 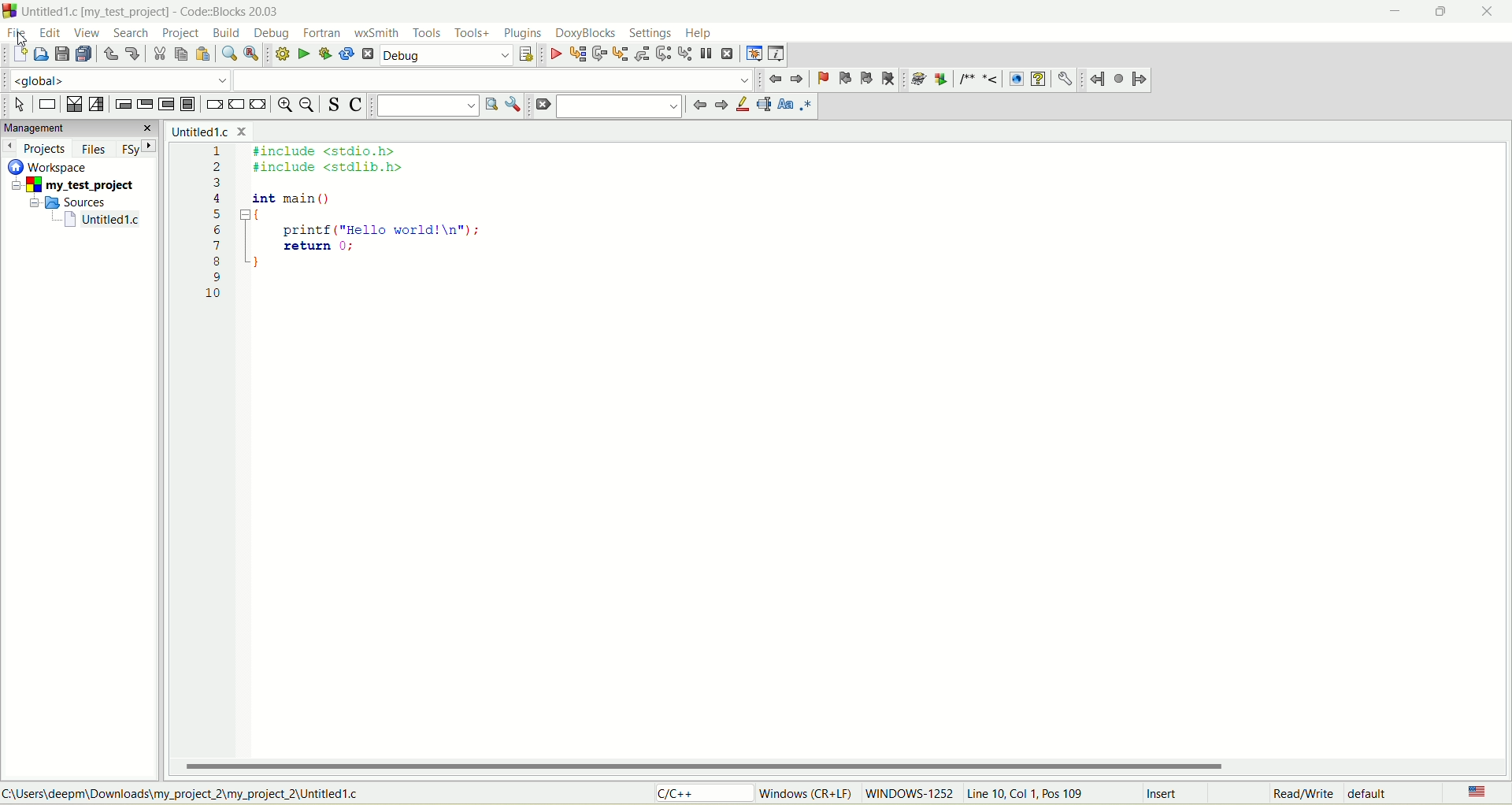 What do you see at coordinates (806, 104) in the screenshot?
I see `regex` at bounding box center [806, 104].